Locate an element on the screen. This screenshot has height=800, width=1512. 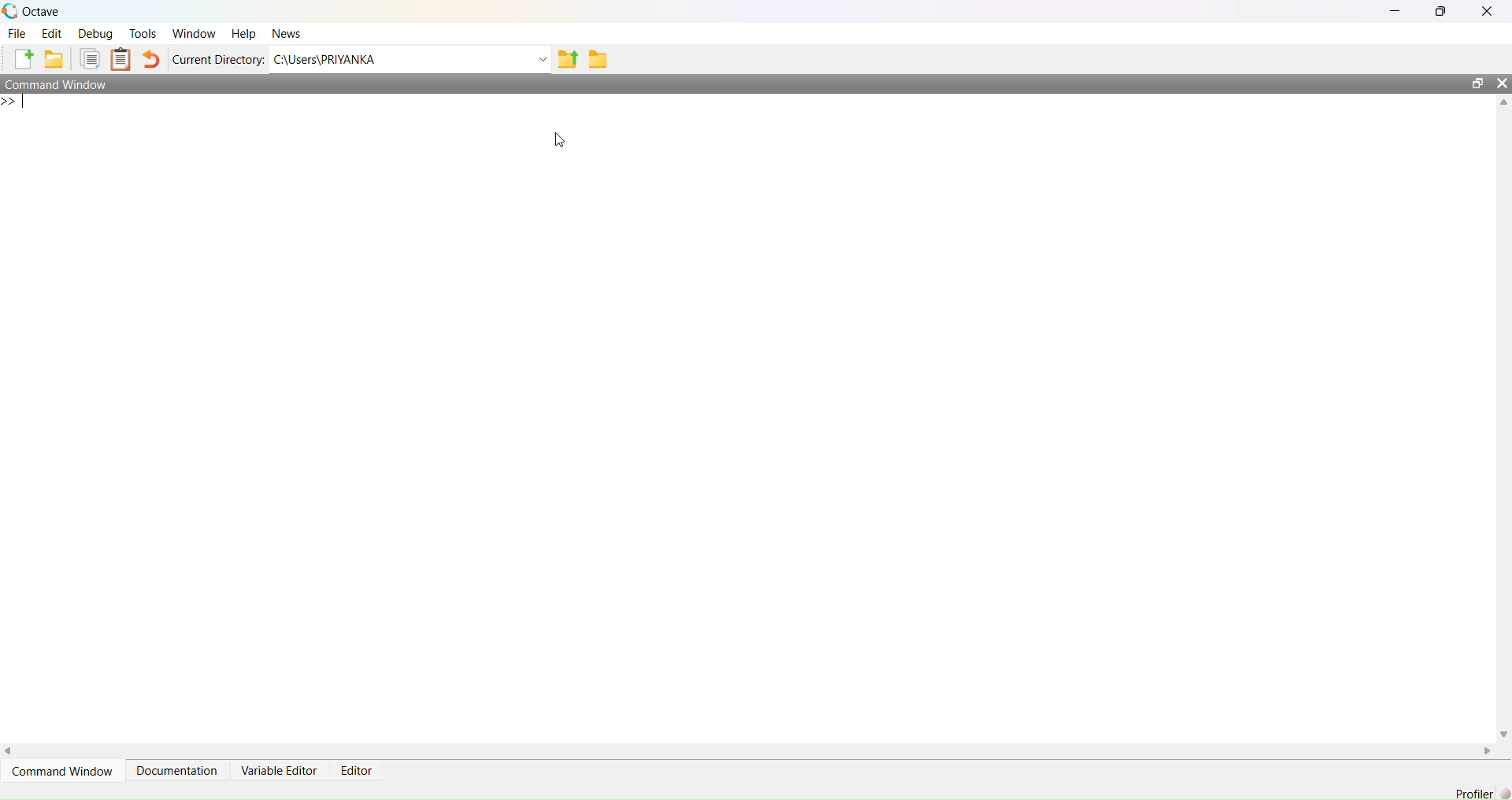
Open an existing file in editor is located at coordinates (54, 59).